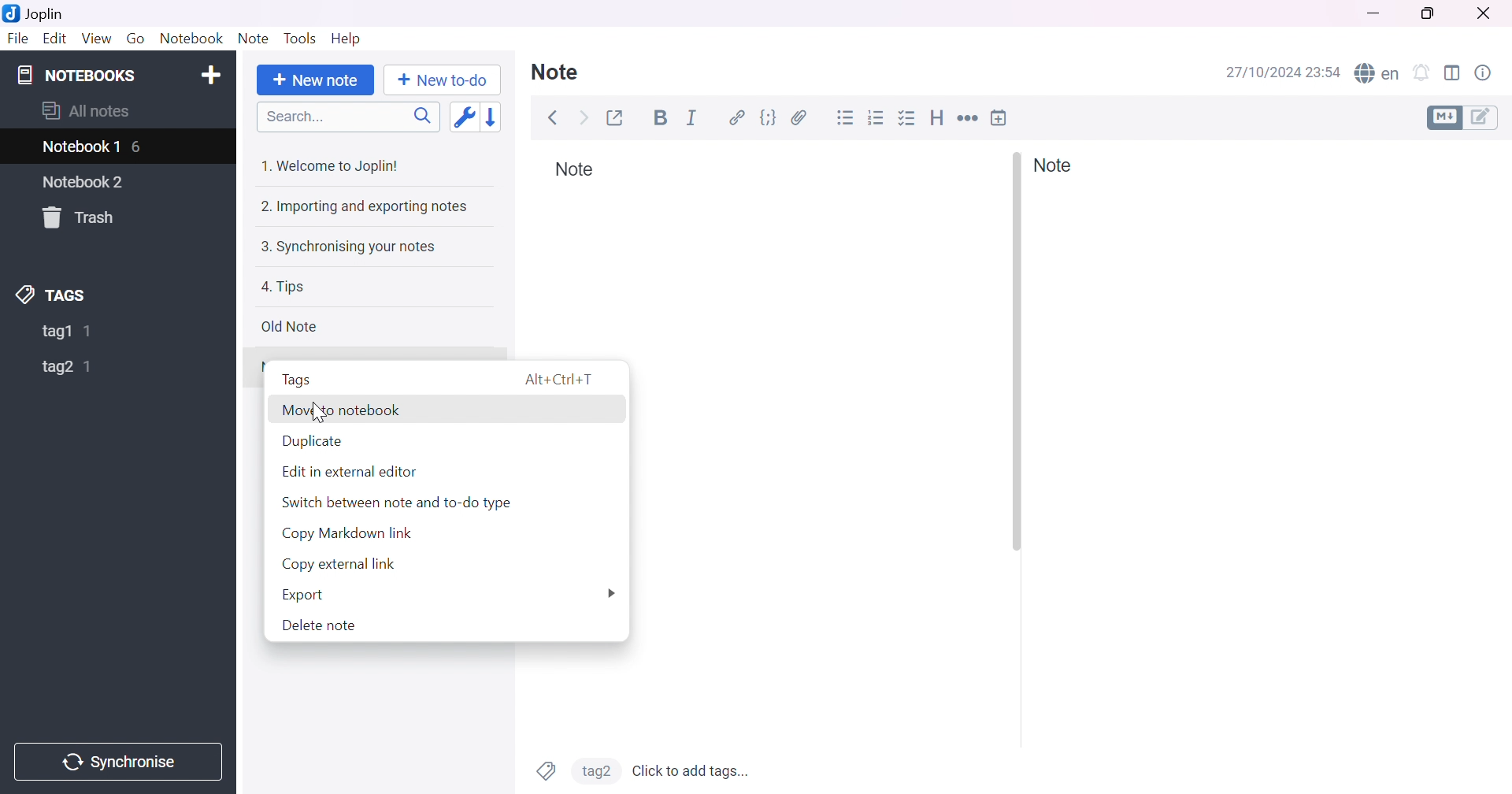  I want to click on Note, so click(569, 169).